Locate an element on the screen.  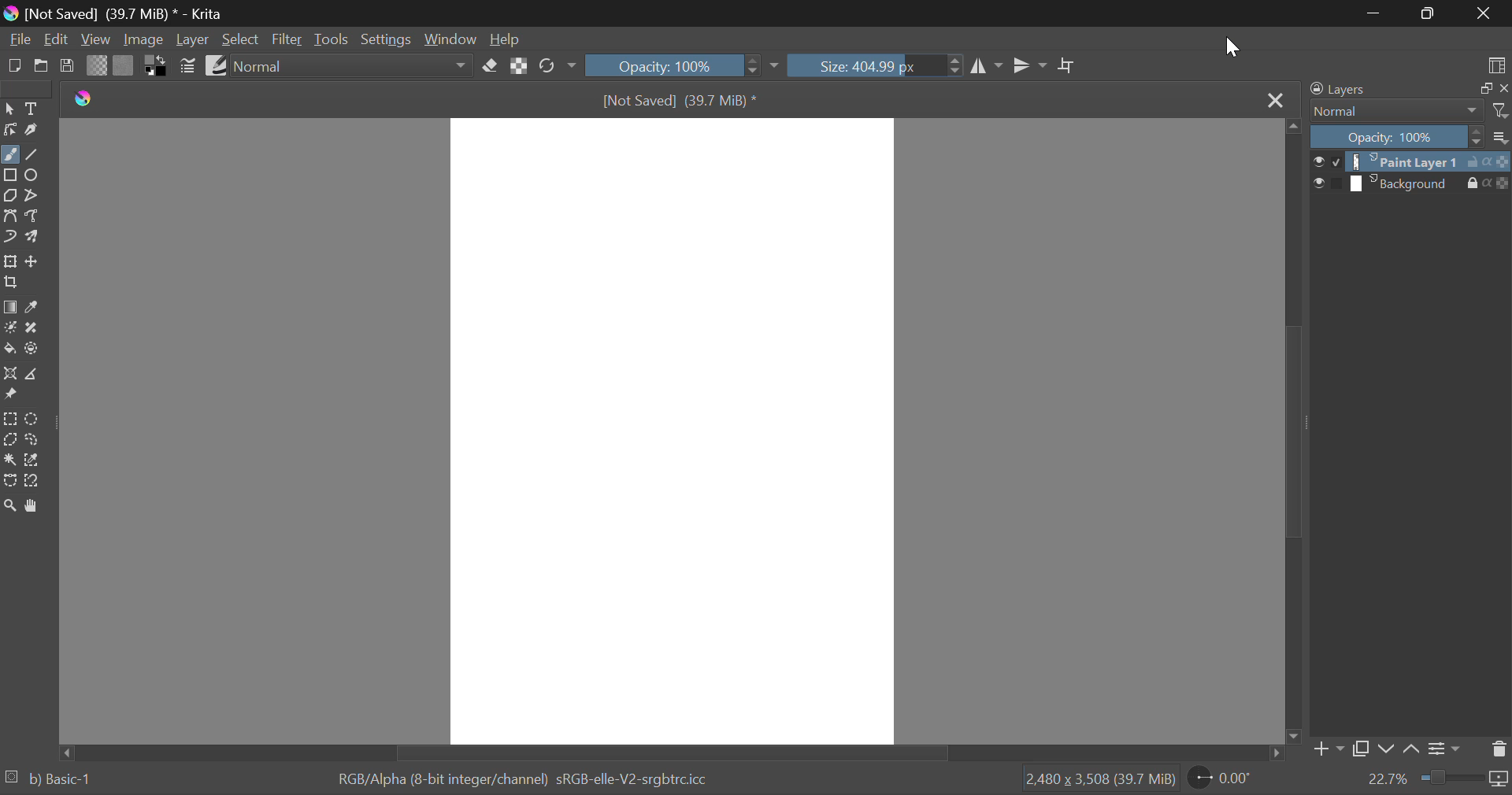
Measurement is located at coordinates (34, 373).